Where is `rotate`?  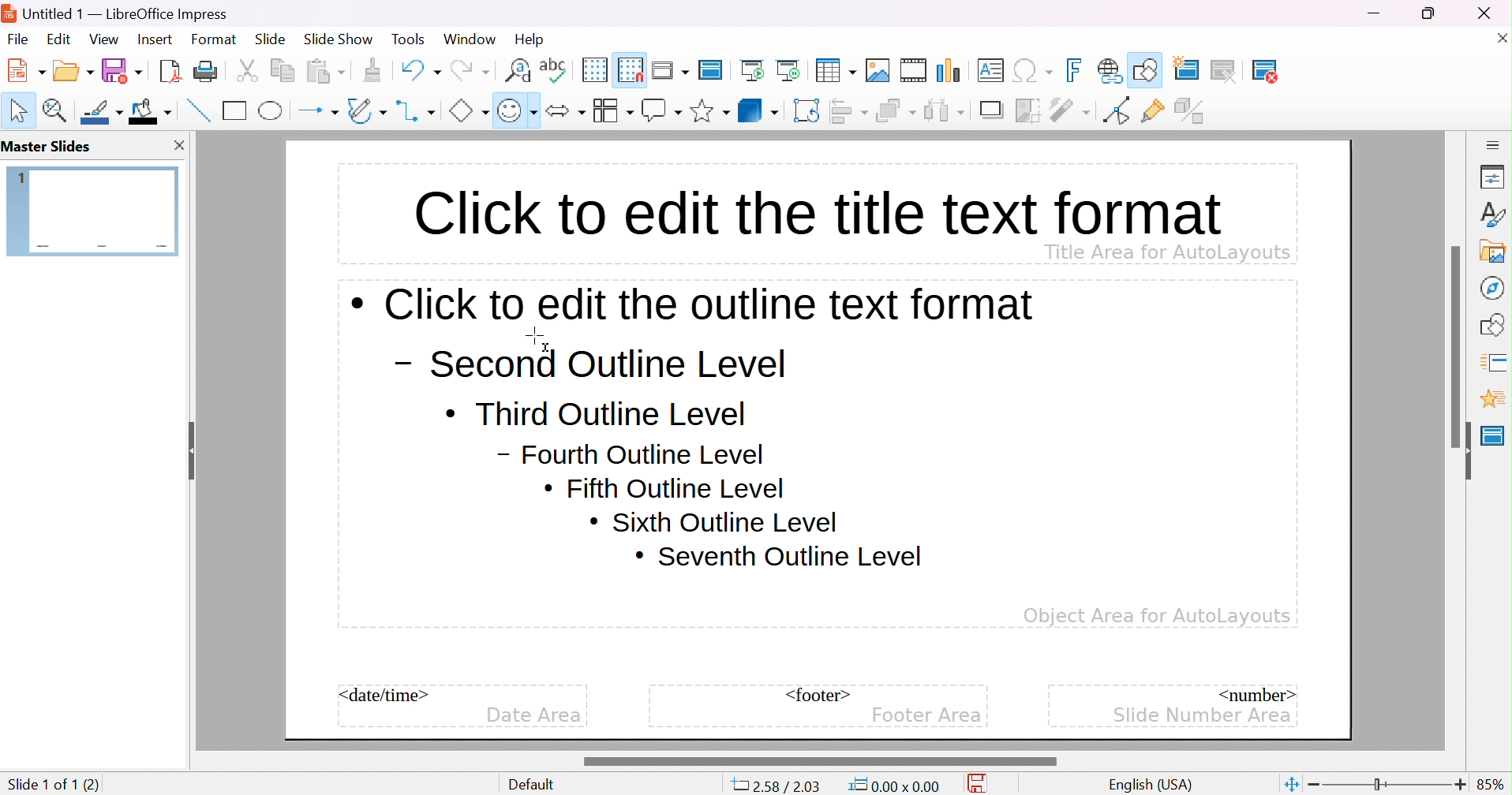 rotate is located at coordinates (808, 110).